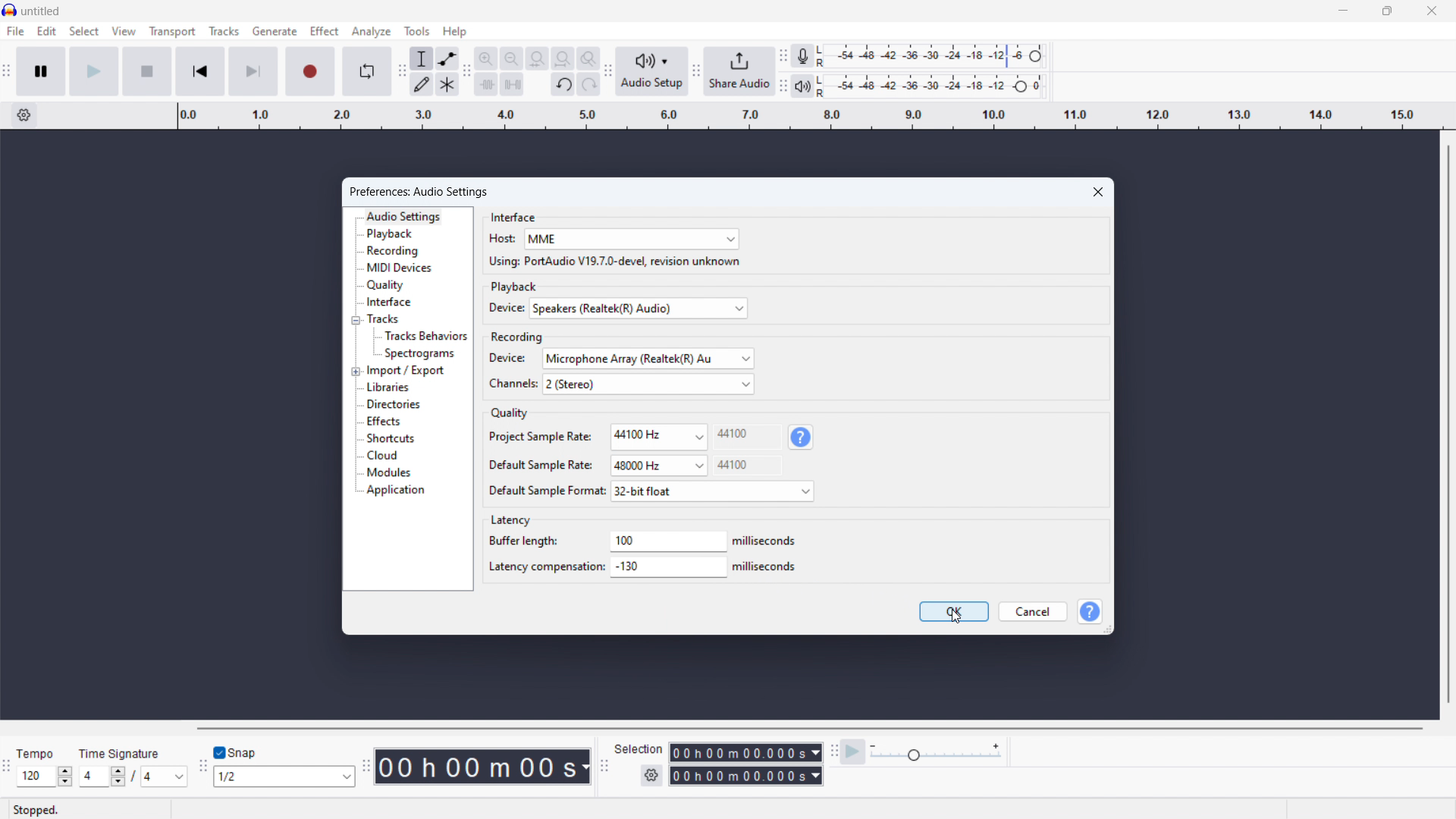 This screenshot has width=1456, height=819. I want to click on share audio toolbar, so click(696, 72).